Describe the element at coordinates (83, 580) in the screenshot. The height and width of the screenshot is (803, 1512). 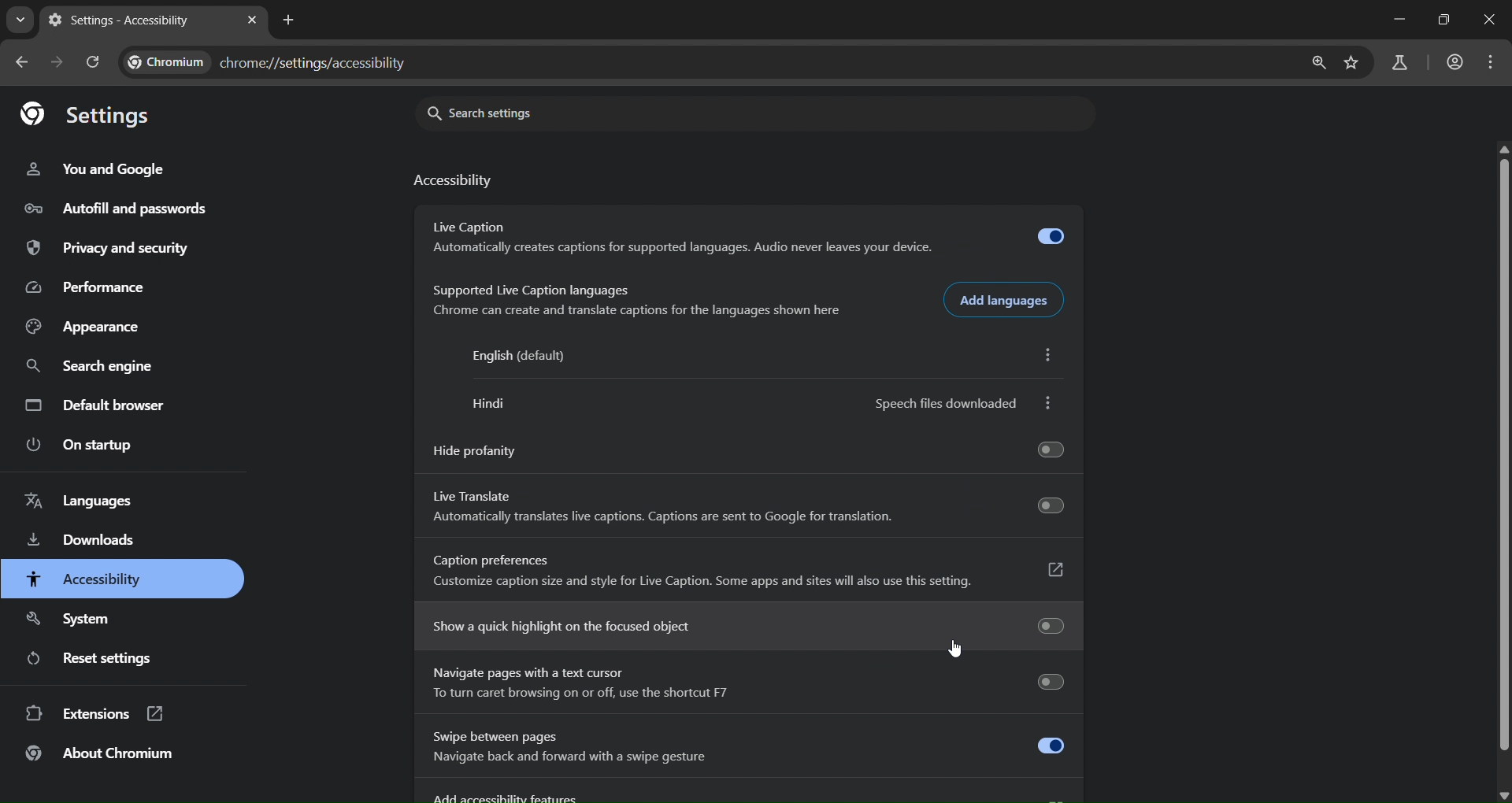
I see `accessibility` at that location.